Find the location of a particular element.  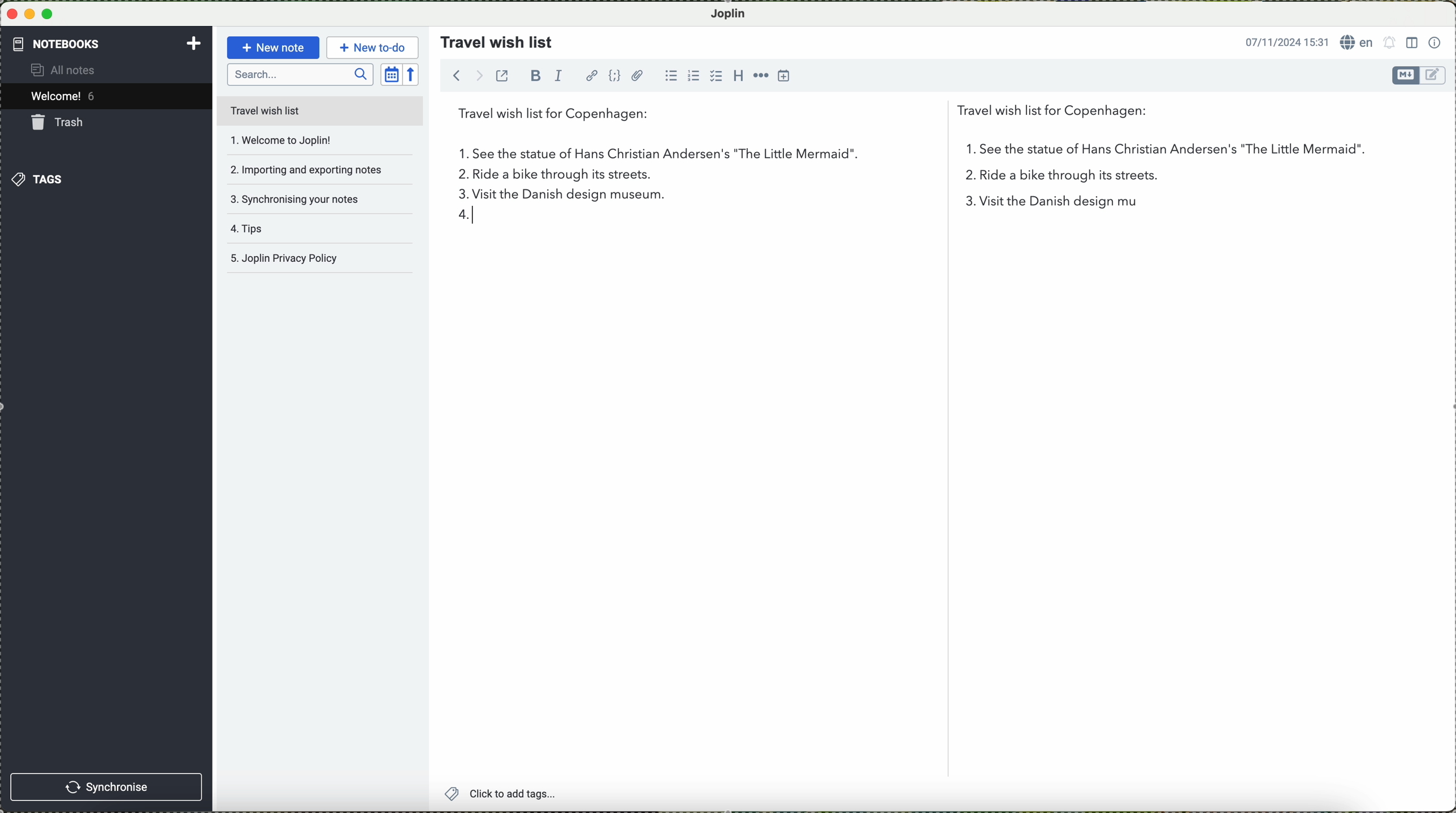

note properties is located at coordinates (1435, 41).